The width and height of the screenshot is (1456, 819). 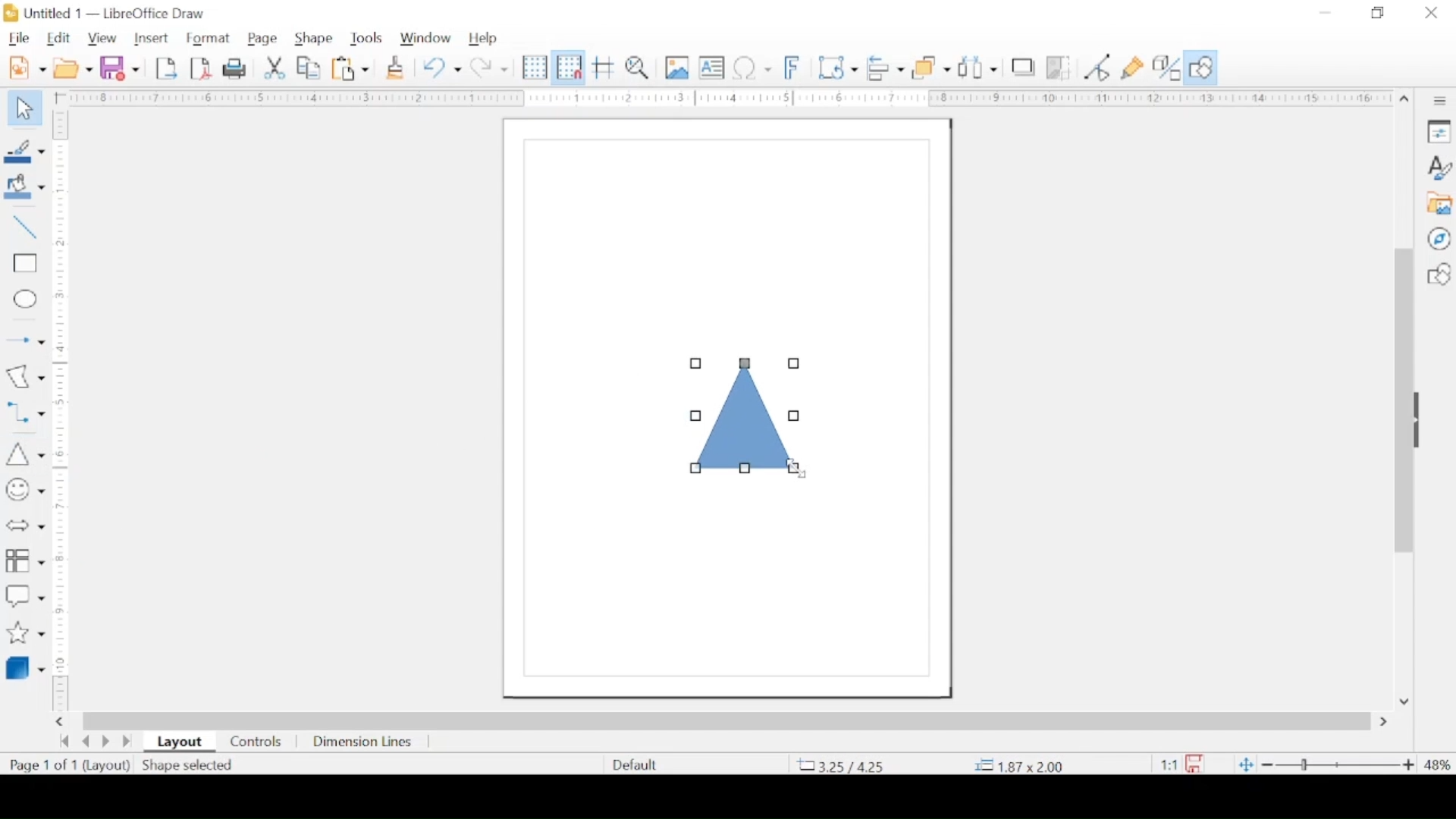 What do you see at coordinates (793, 469) in the screenshot?
I see `resize handle` at bounding box center [793, 469].